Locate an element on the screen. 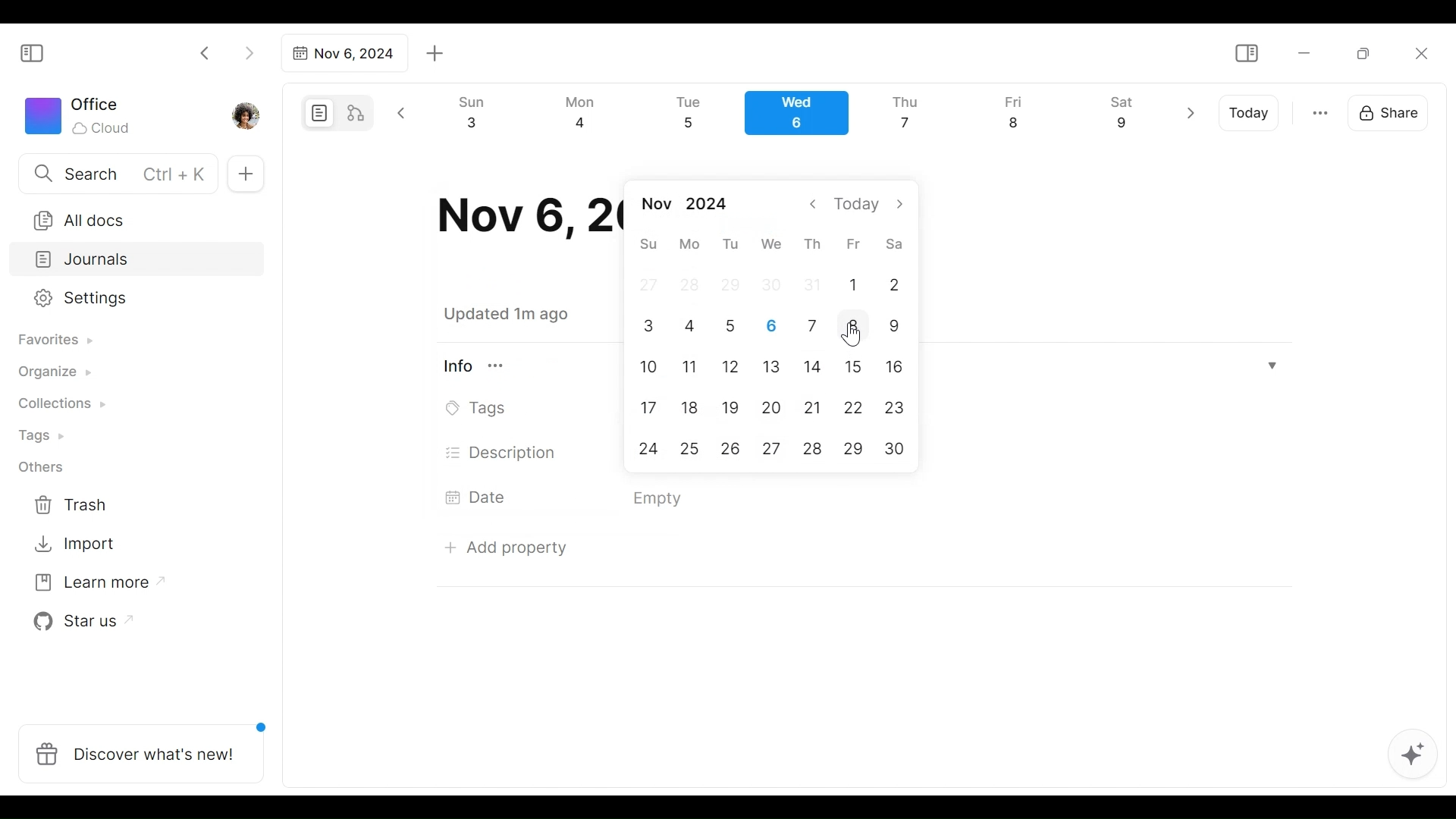 This screenshot has height=819, width=1456. Others is located at coordinates (42, 467).